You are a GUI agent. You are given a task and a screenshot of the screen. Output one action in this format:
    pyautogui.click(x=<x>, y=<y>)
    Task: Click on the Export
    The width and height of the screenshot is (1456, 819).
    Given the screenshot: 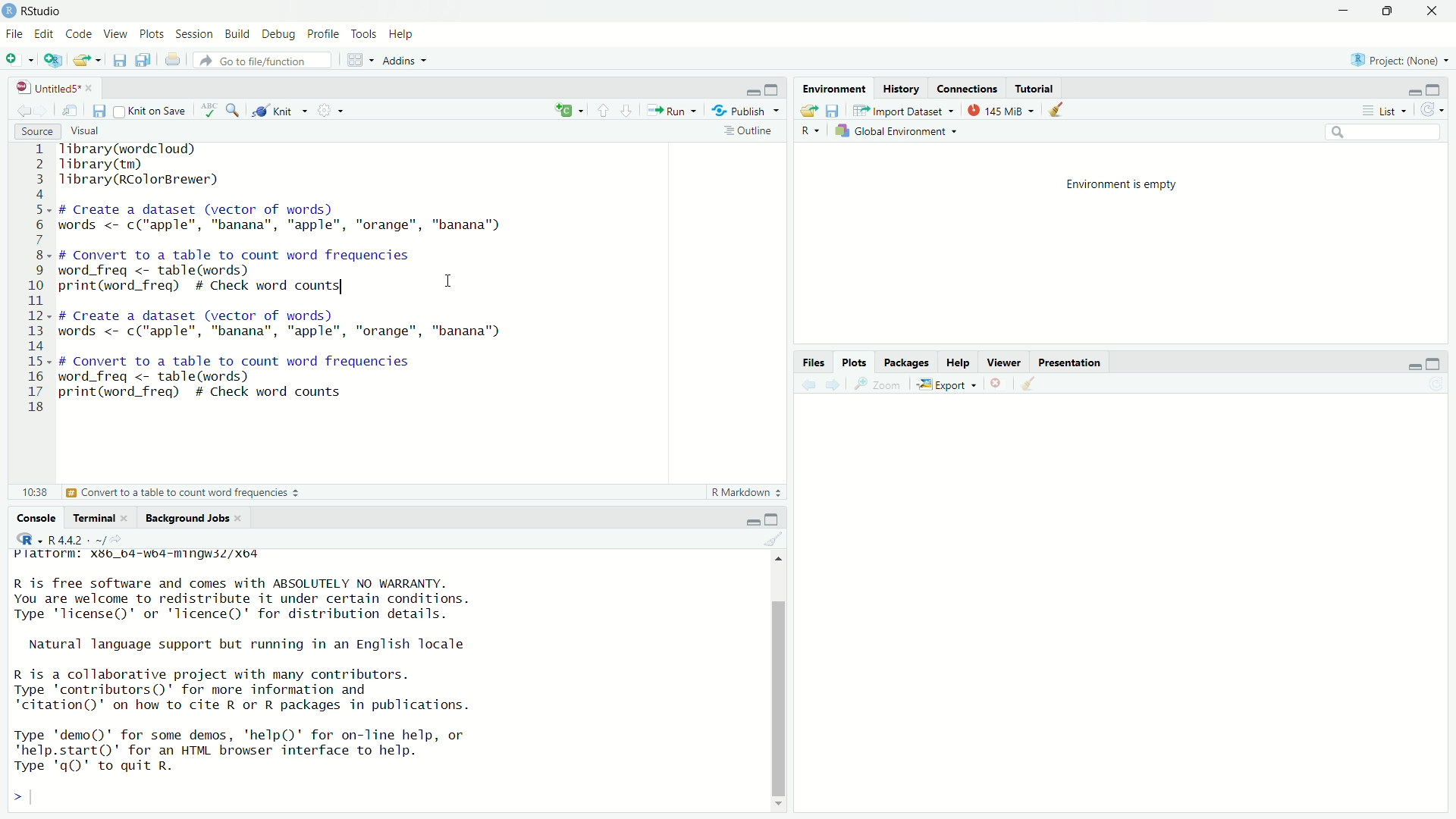 What is the action you would take?
    pyautogui.click(x=949, y=384)
    